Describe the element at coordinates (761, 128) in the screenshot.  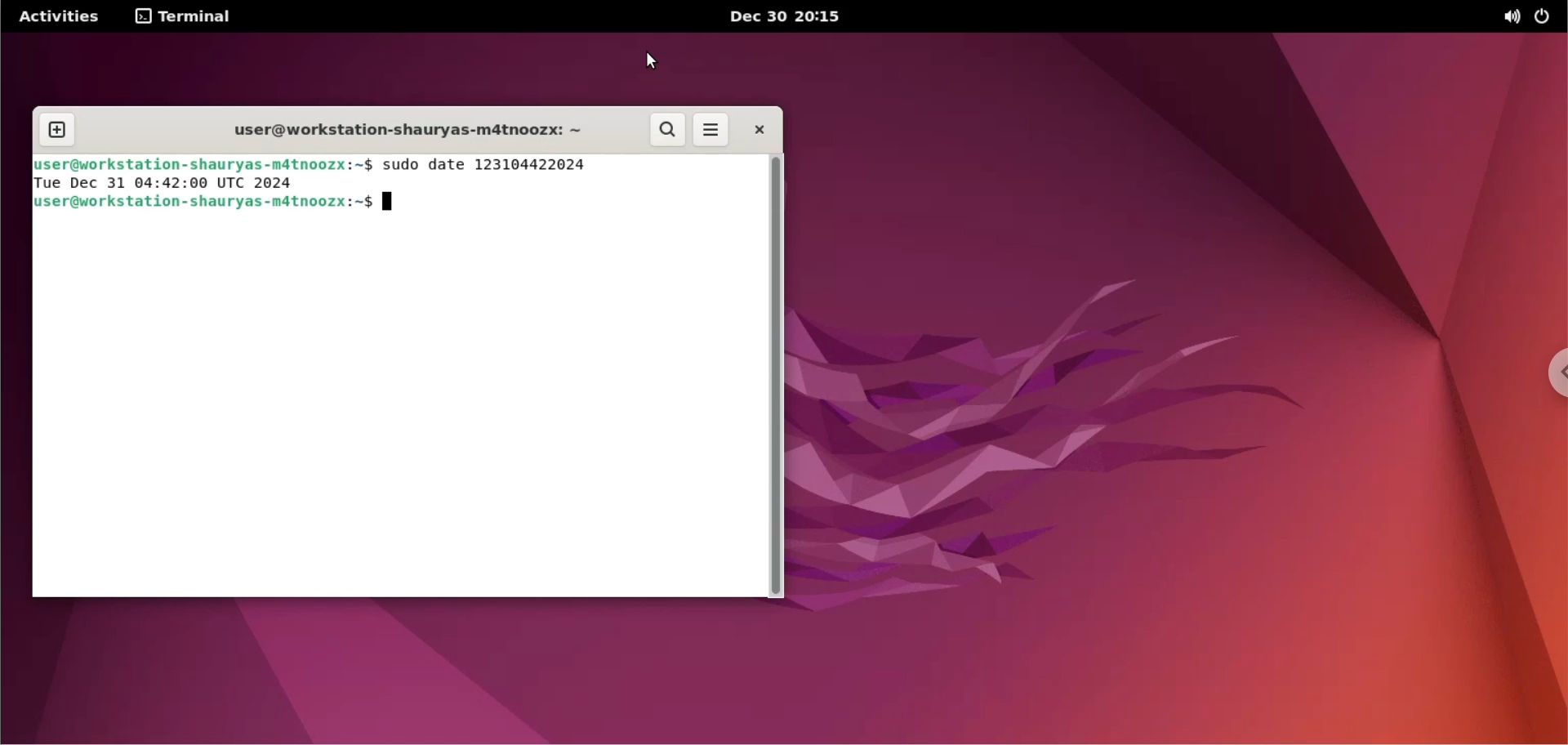
I see `close` at that location.